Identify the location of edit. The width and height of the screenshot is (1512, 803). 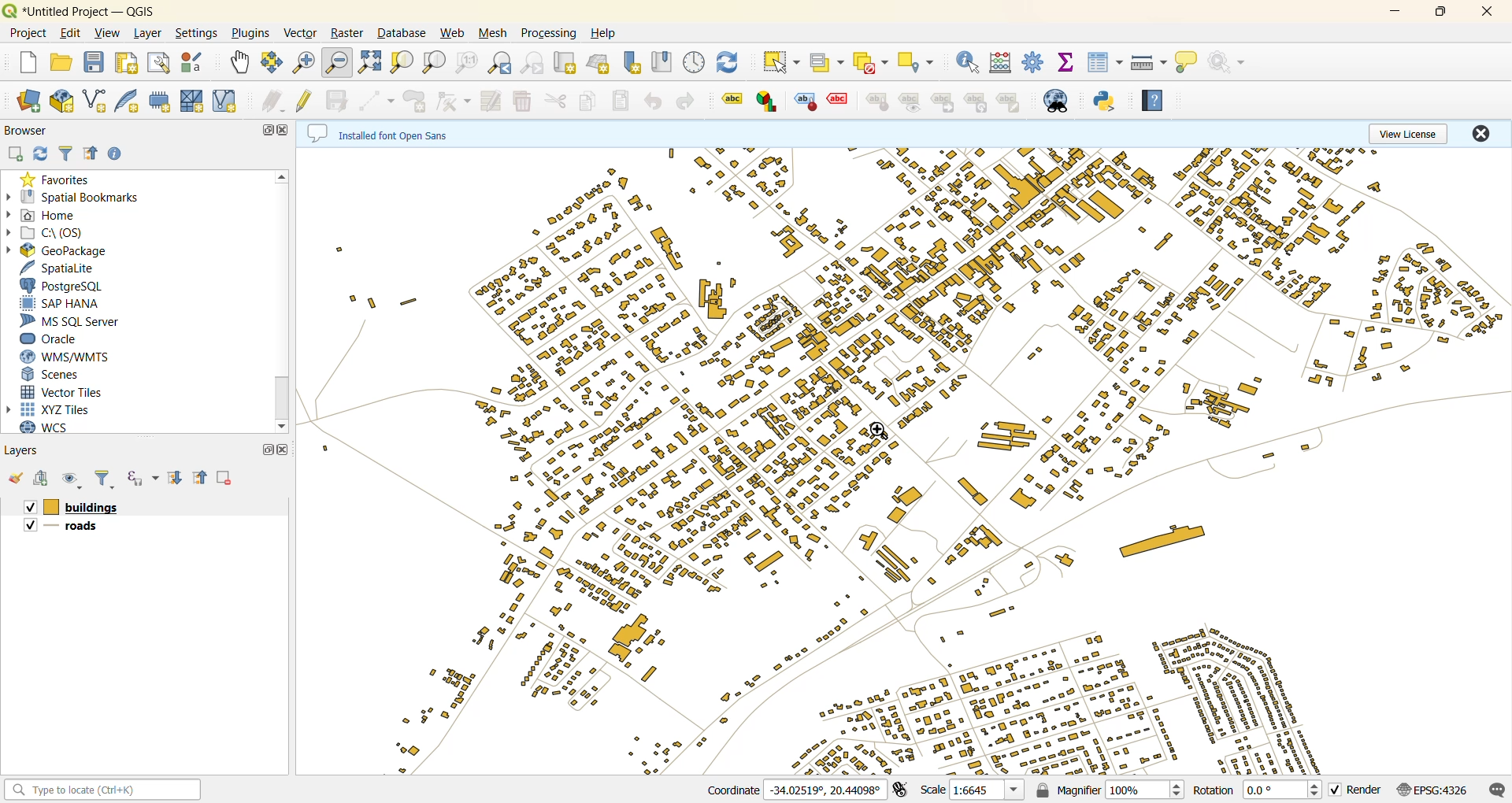
(70, 32).